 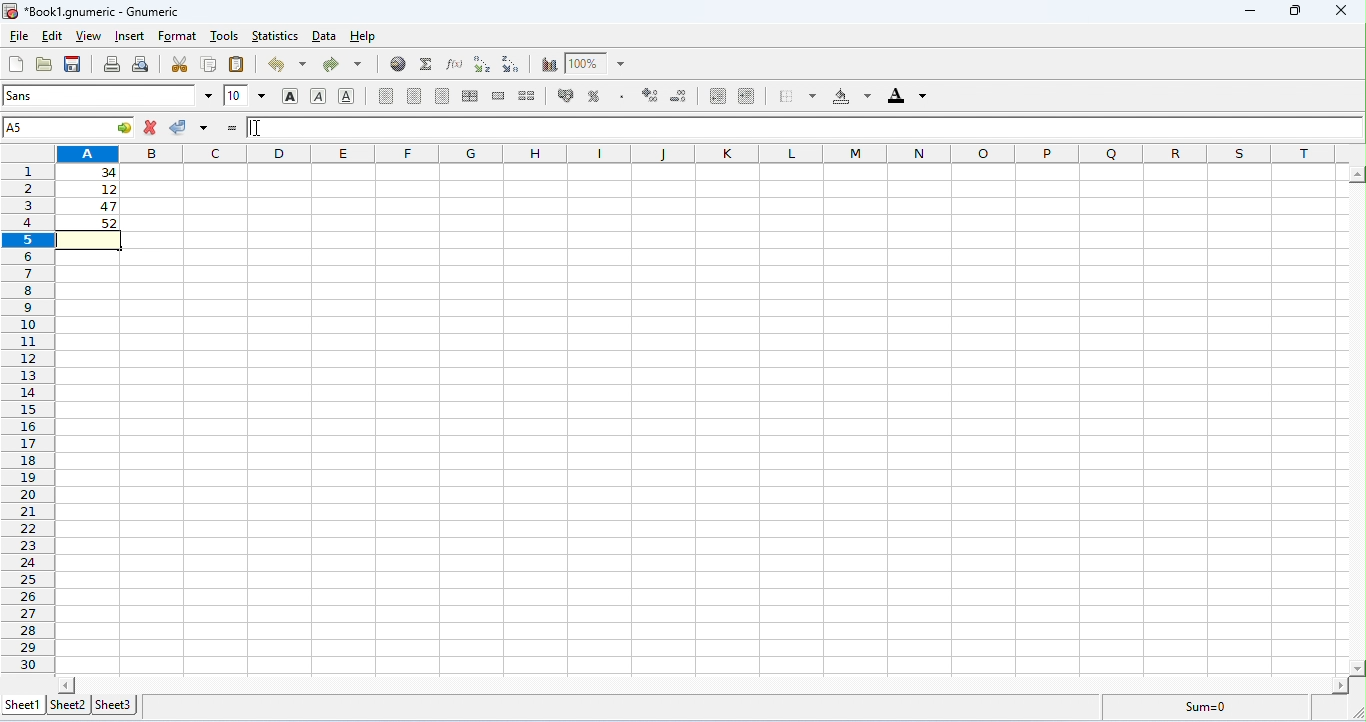 I want to click on foreground, so click(x=907, y=95).